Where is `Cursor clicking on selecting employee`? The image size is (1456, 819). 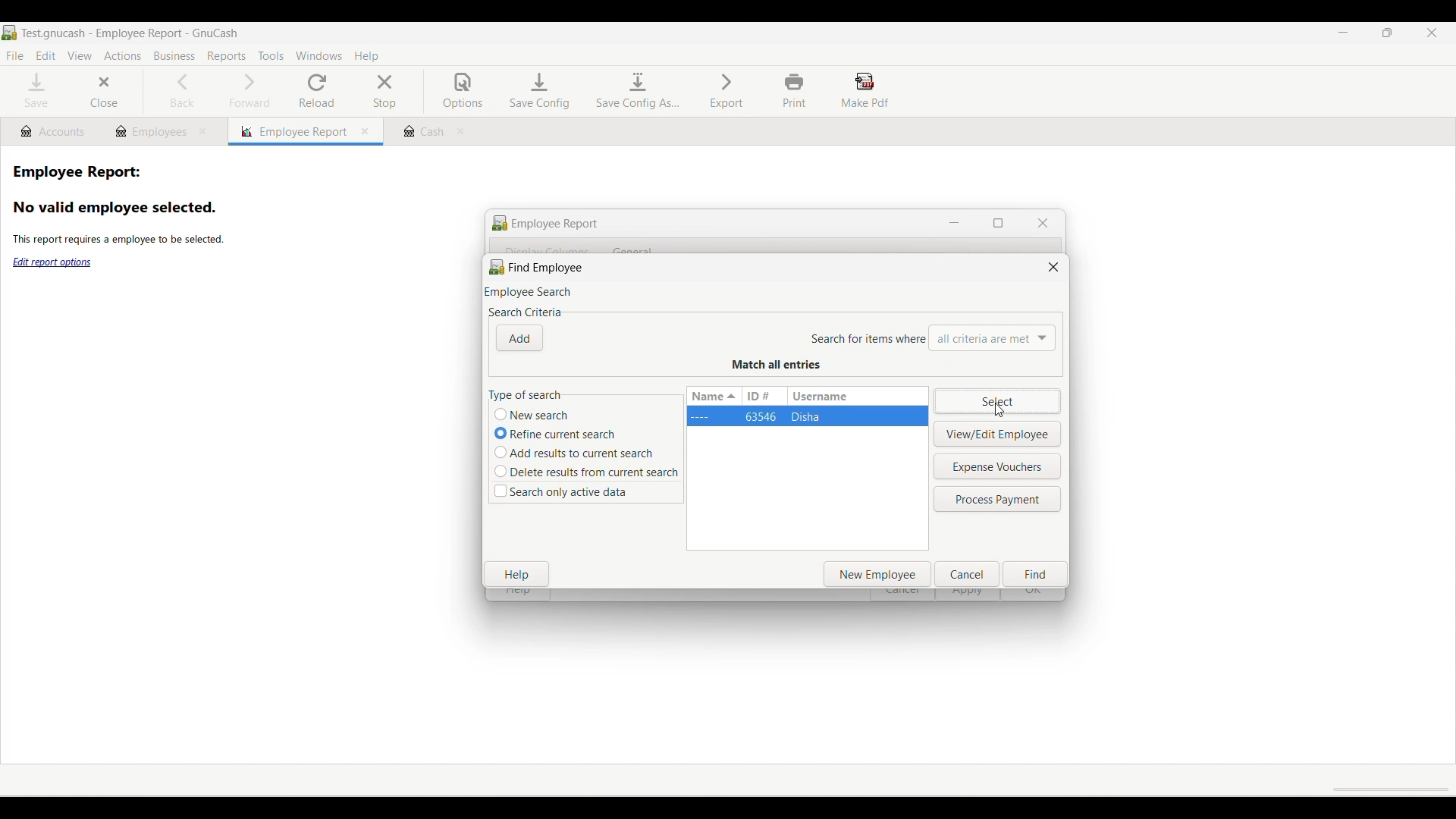
Cursor clicking on selecting employee is located at coordinates (999, 410).